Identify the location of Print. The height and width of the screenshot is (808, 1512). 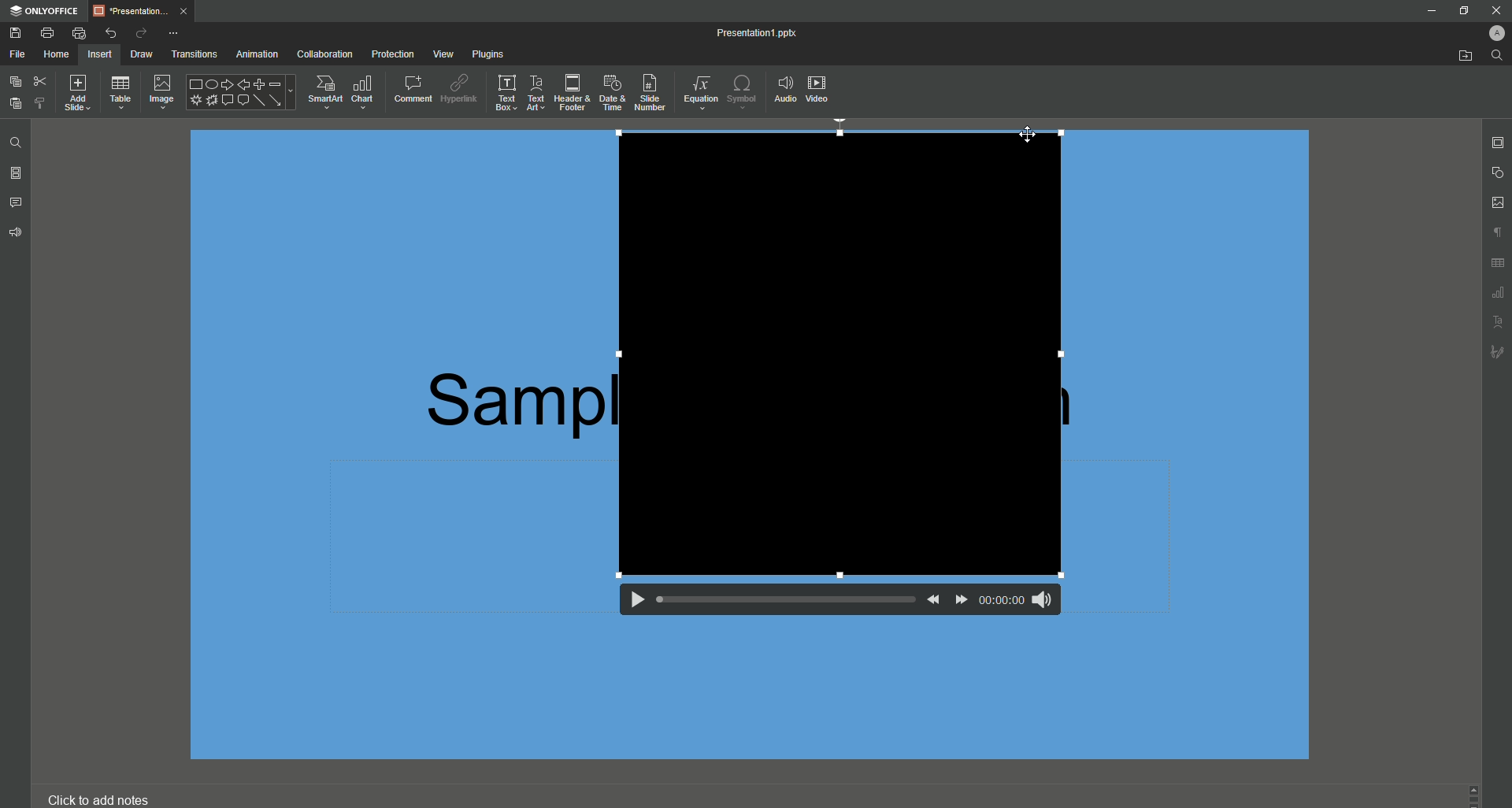
(46, 32).